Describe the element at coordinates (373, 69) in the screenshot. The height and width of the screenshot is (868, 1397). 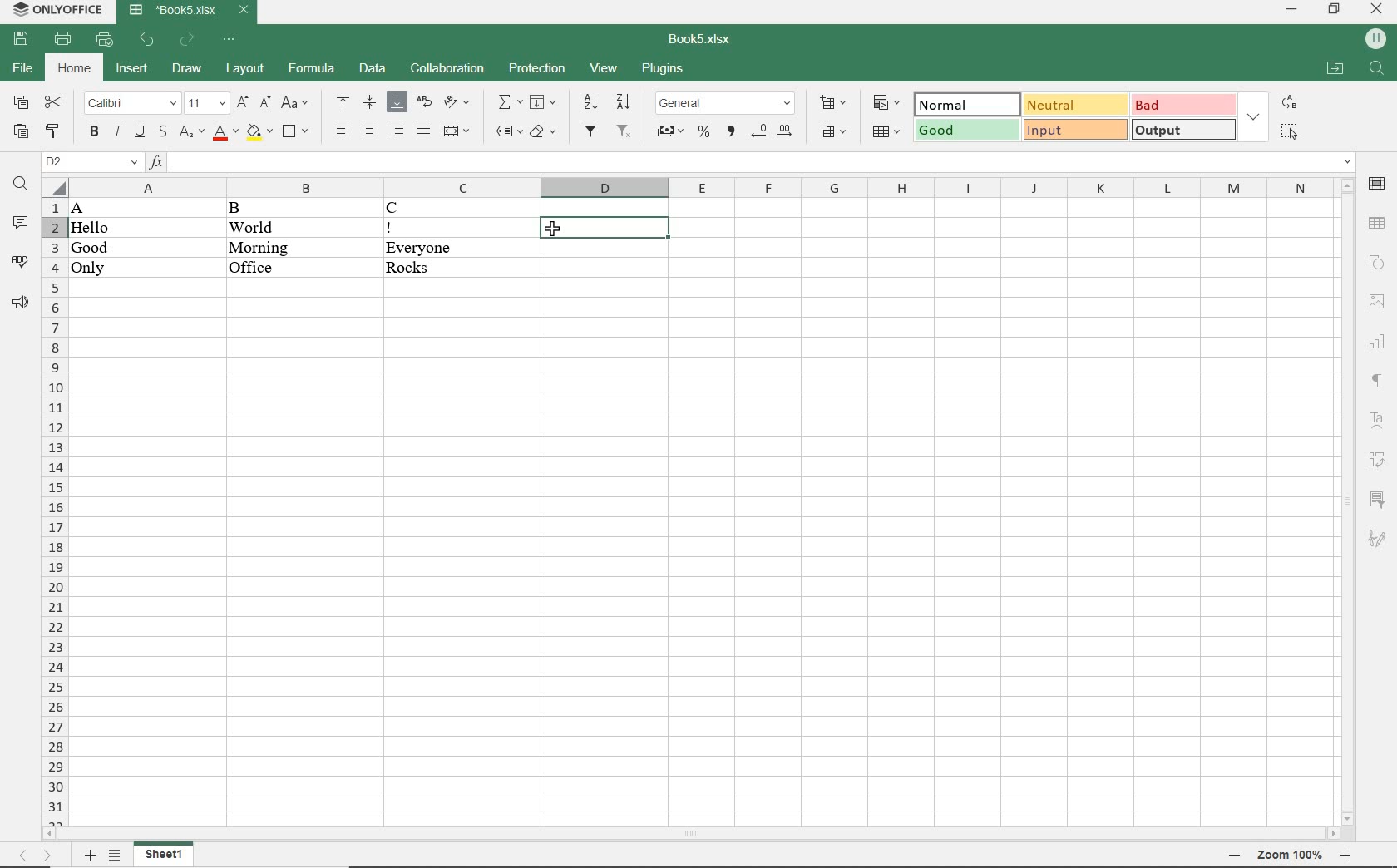
I see `data` at that location.